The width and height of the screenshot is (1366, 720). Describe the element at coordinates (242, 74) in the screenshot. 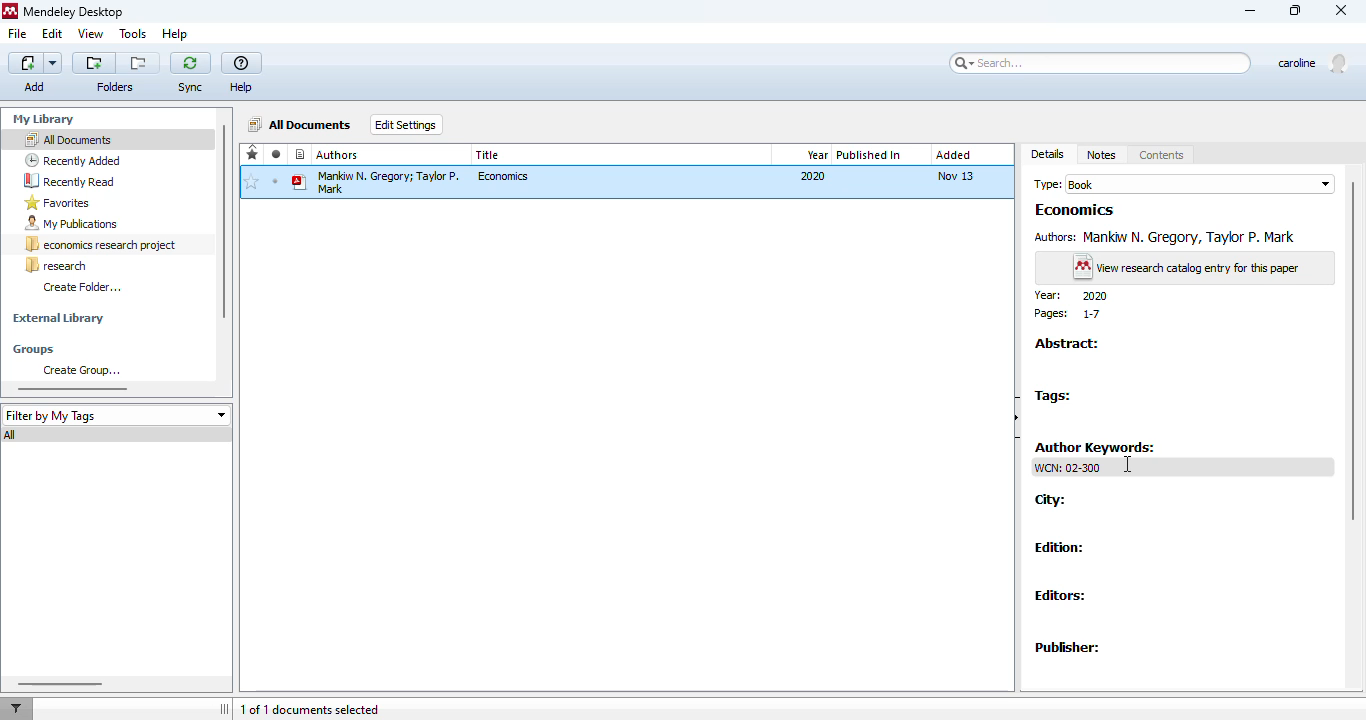

I see `help` at that location.